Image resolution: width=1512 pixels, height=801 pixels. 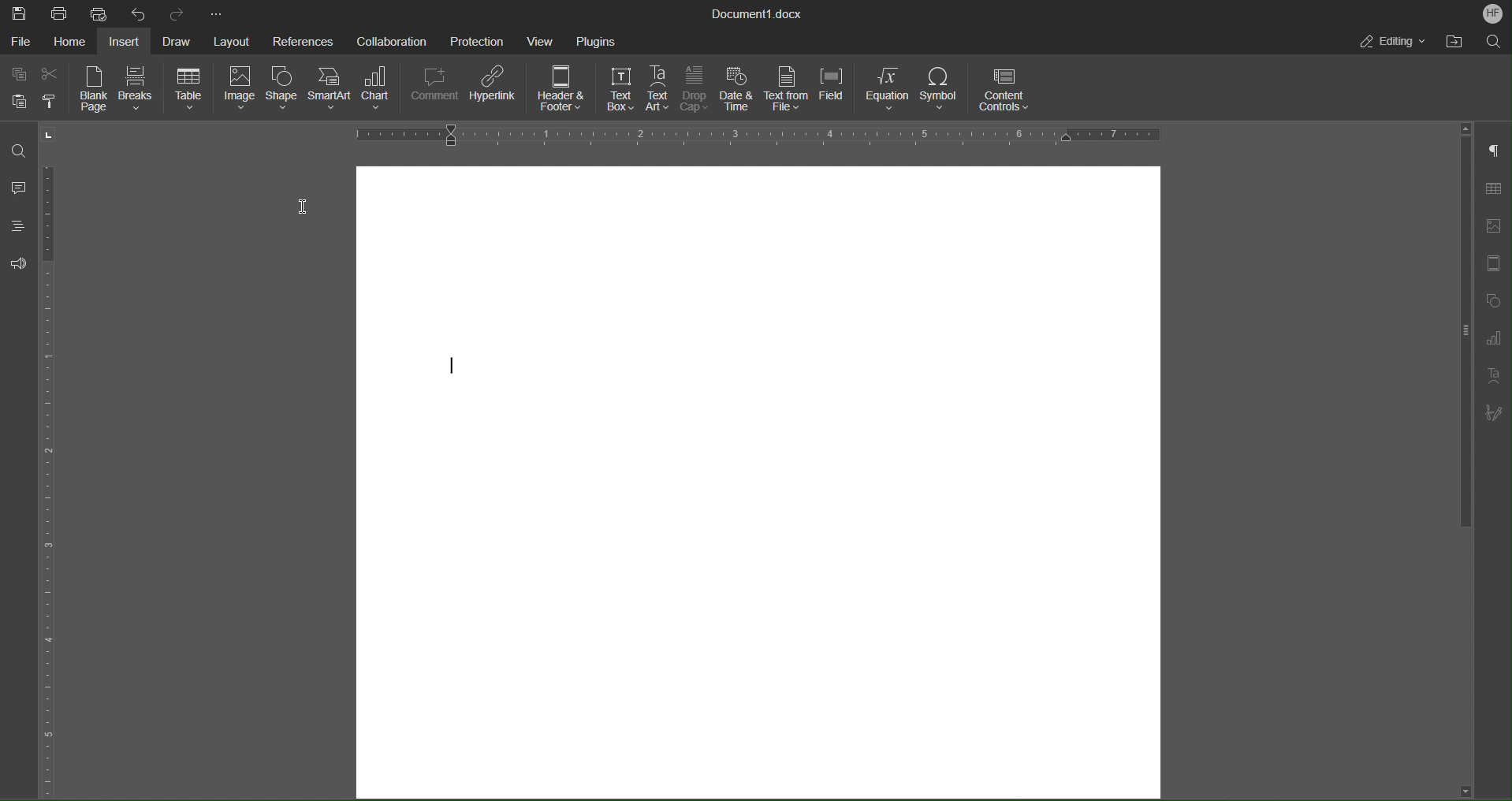 I want to click on Blank page, so click(x=757, y=482).